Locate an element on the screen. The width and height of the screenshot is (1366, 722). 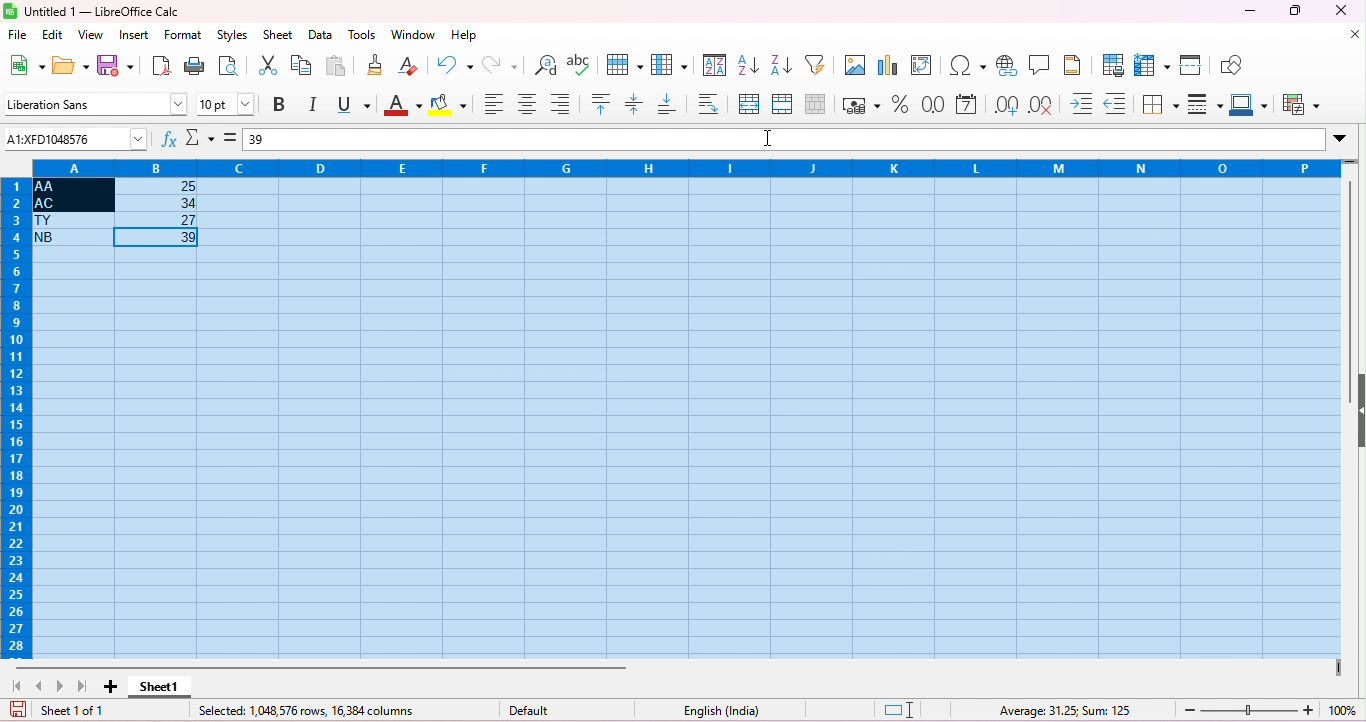
column headings is located at coordinates (678, 167).